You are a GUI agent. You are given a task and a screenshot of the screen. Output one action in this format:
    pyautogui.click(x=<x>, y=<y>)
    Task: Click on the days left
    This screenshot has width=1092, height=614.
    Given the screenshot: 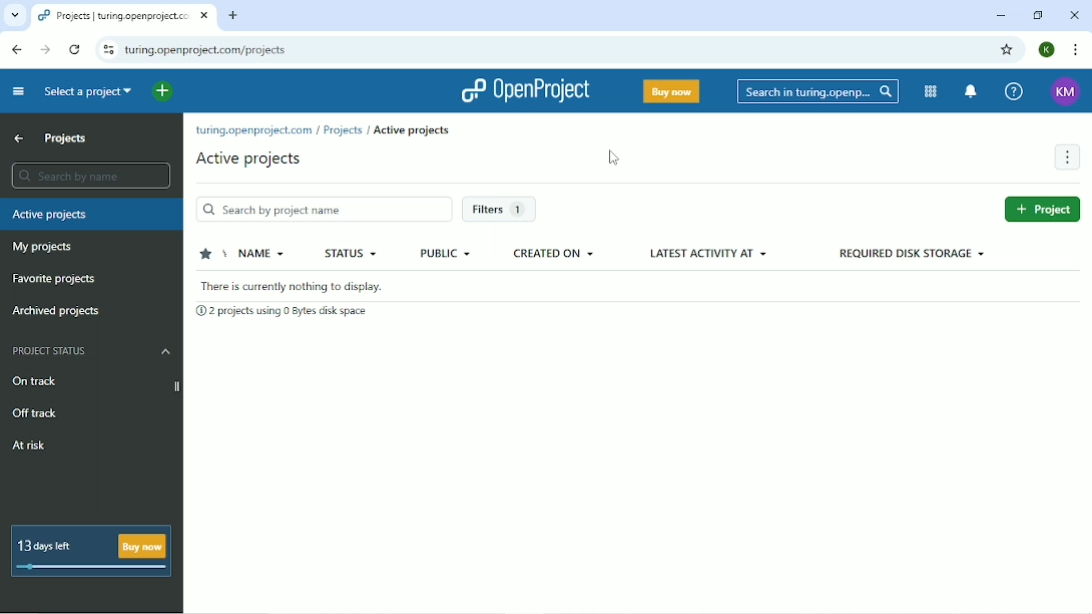 What is the action you would take?
    pyautogui.click(x=89, y=568)
    